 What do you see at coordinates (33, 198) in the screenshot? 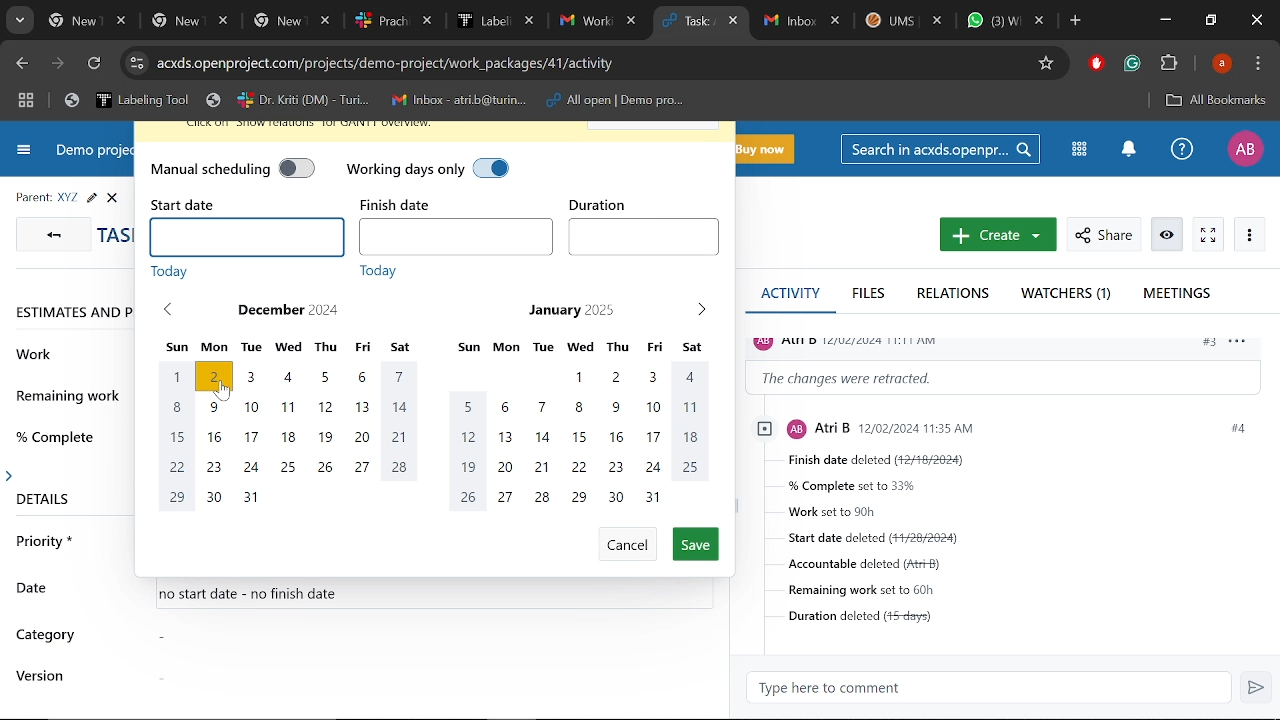
I see `parent` at bounding box center [33, 198].